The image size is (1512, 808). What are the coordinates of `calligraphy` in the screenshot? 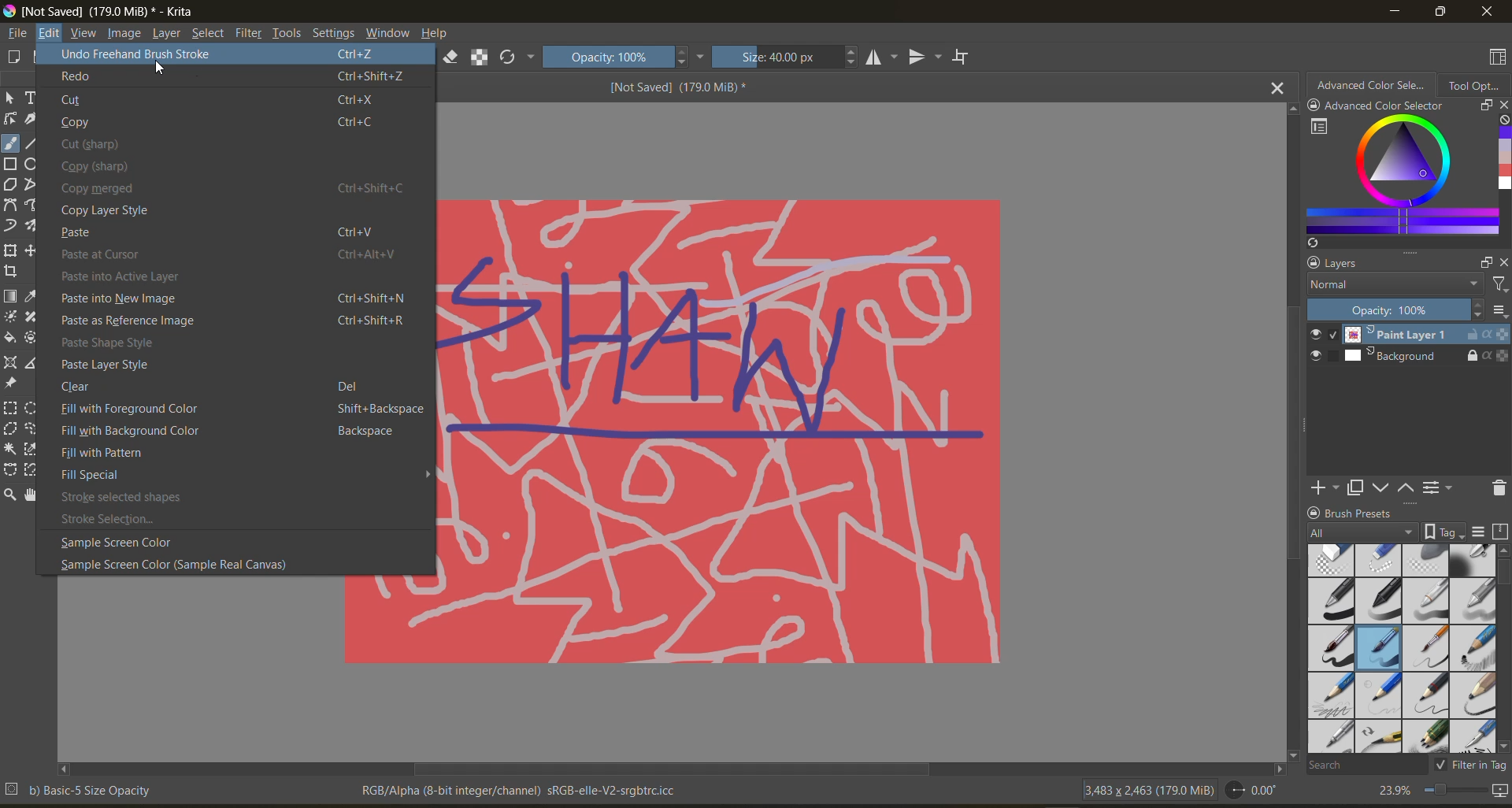 It's located at (32, 118).